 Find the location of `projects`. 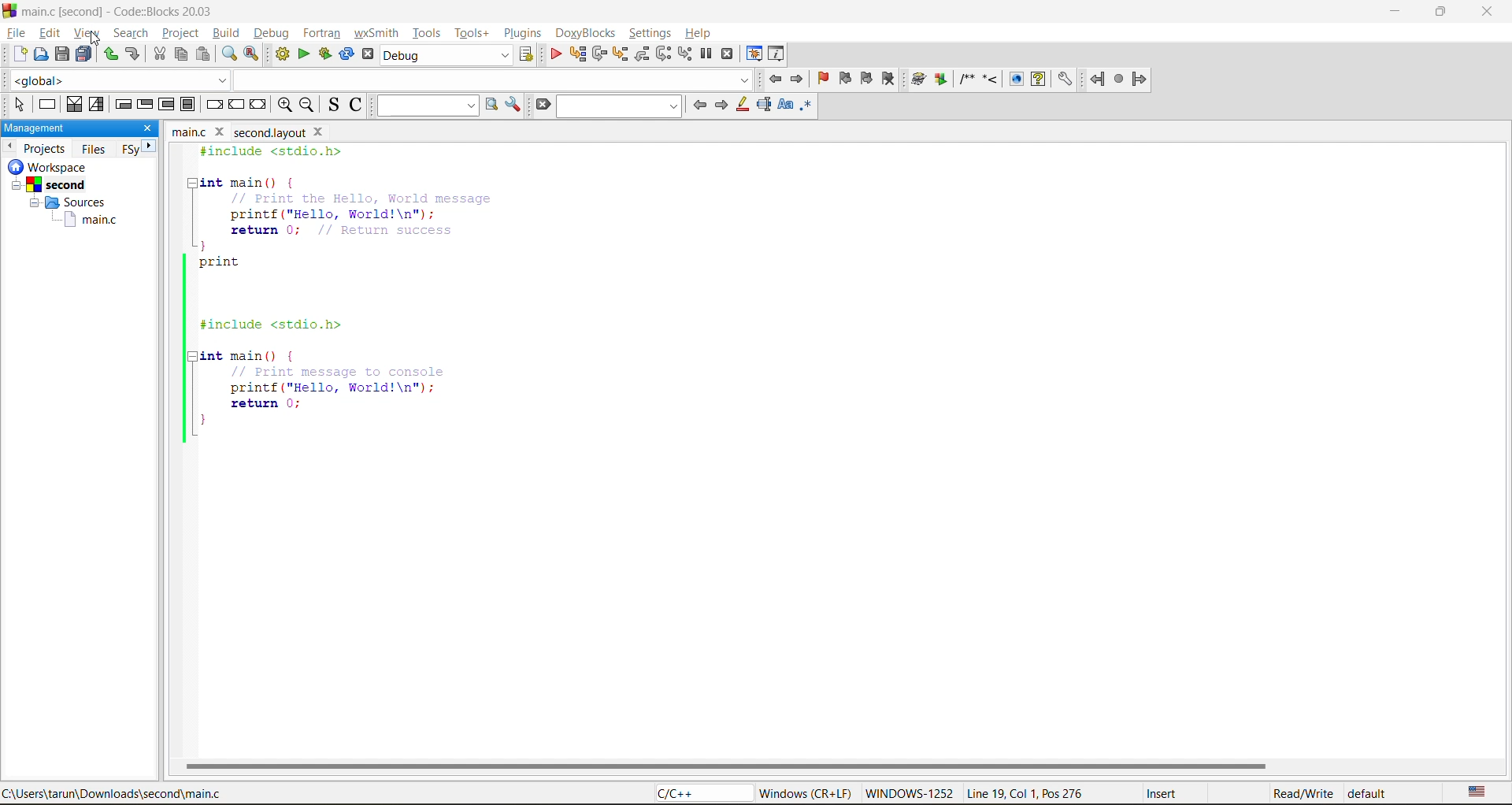

projects is located at coordinates (47, 147).